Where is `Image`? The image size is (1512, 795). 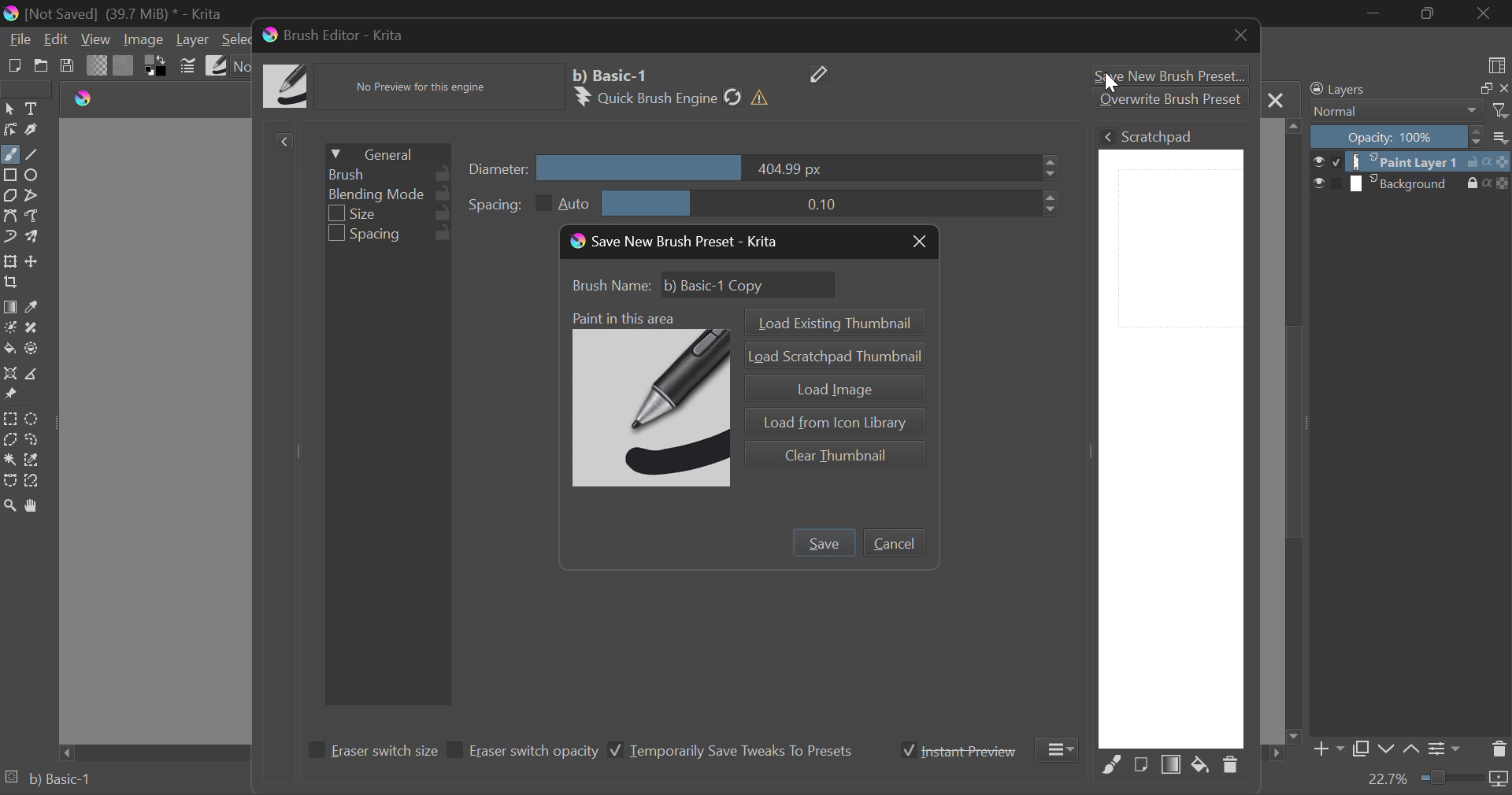 Image is located at coordinates (145, 40).